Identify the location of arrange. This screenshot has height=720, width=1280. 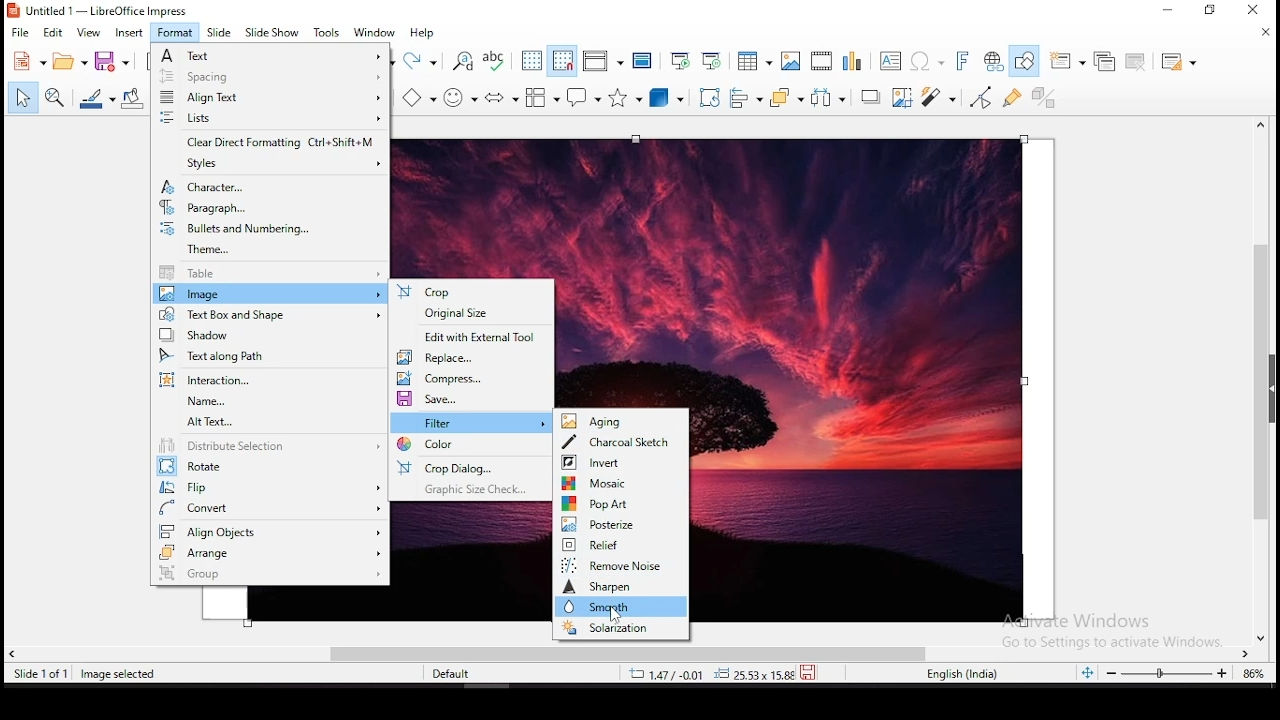
(270, 553).